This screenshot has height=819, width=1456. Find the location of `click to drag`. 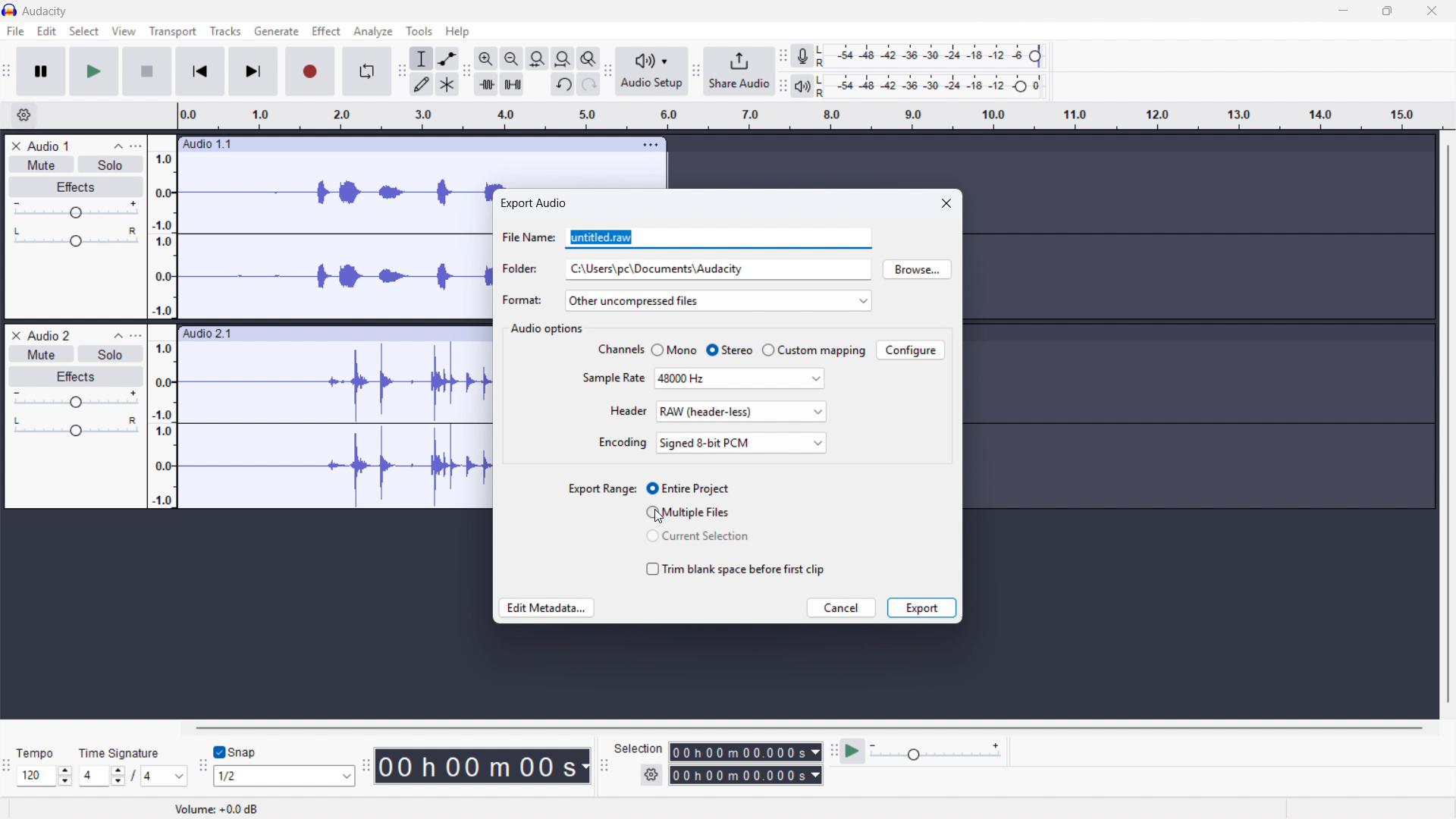

click to drag is located at coordinates (334, 334).